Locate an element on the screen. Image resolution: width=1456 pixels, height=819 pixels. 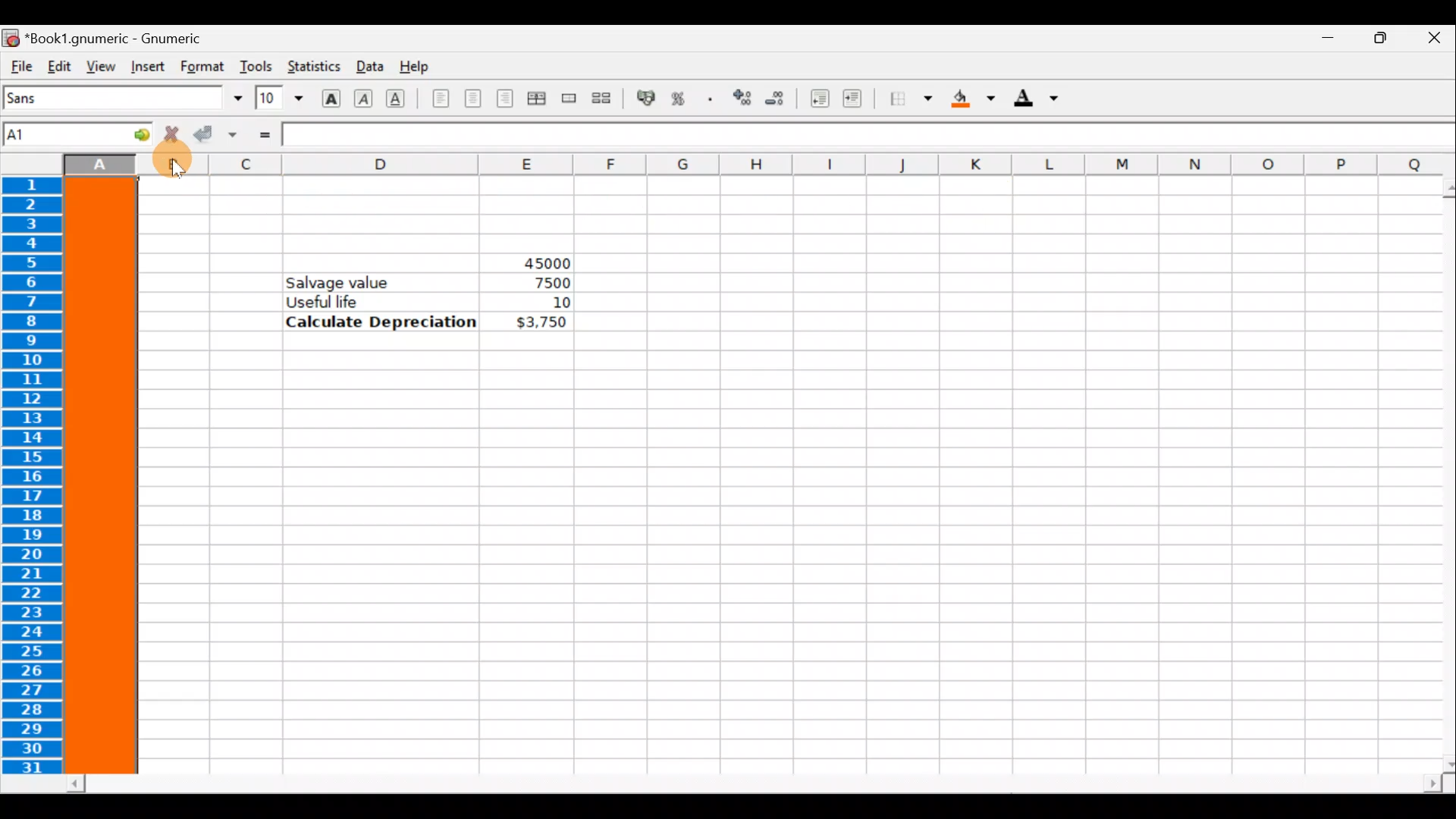
Selected Column A highlighted with color is located at coordinates (100, 475).